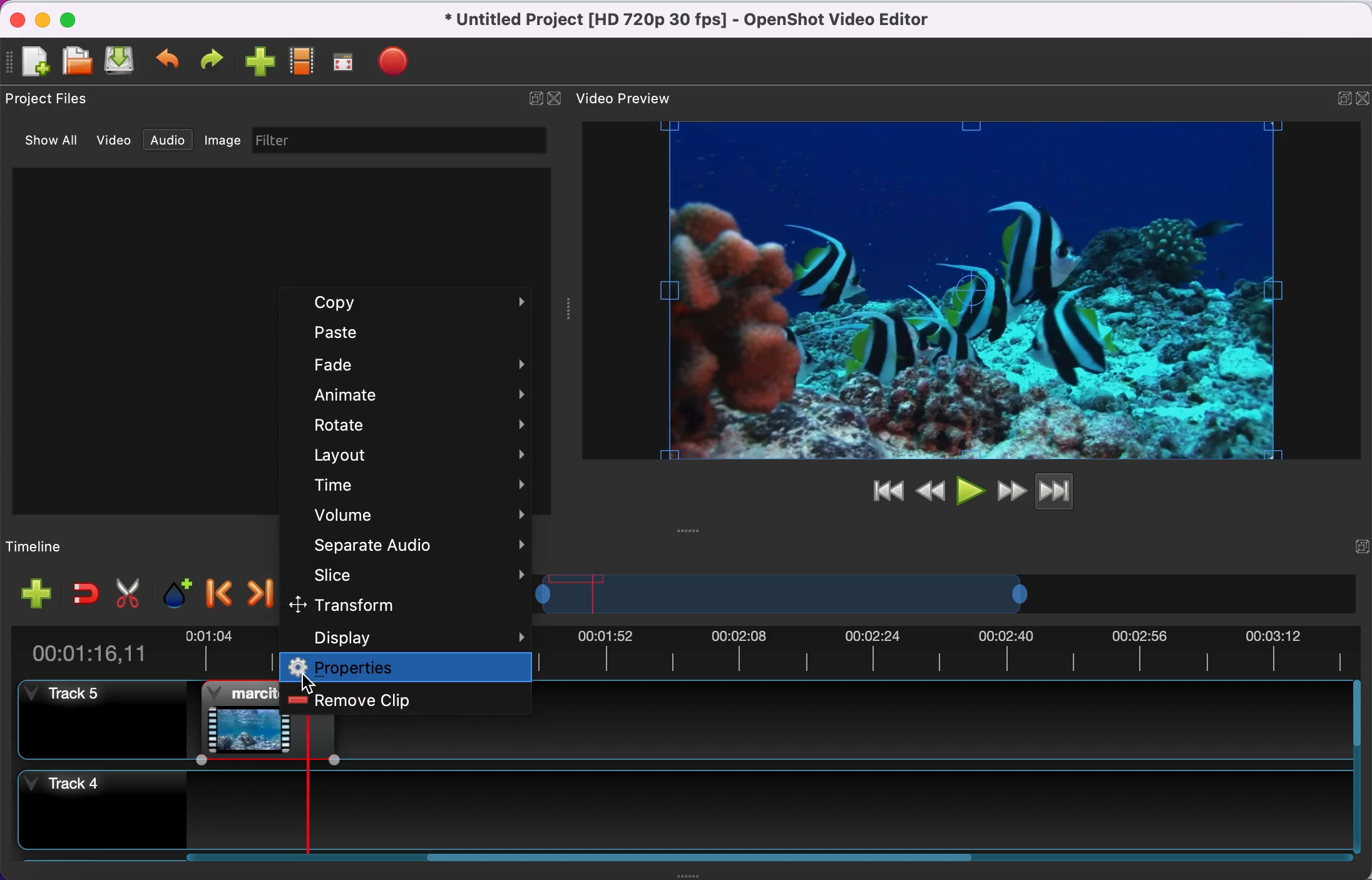 This screenshot has height=880, width=1372. Describe the element at coordinates (416, 304) in the screenshot. I see `copy` at that location.